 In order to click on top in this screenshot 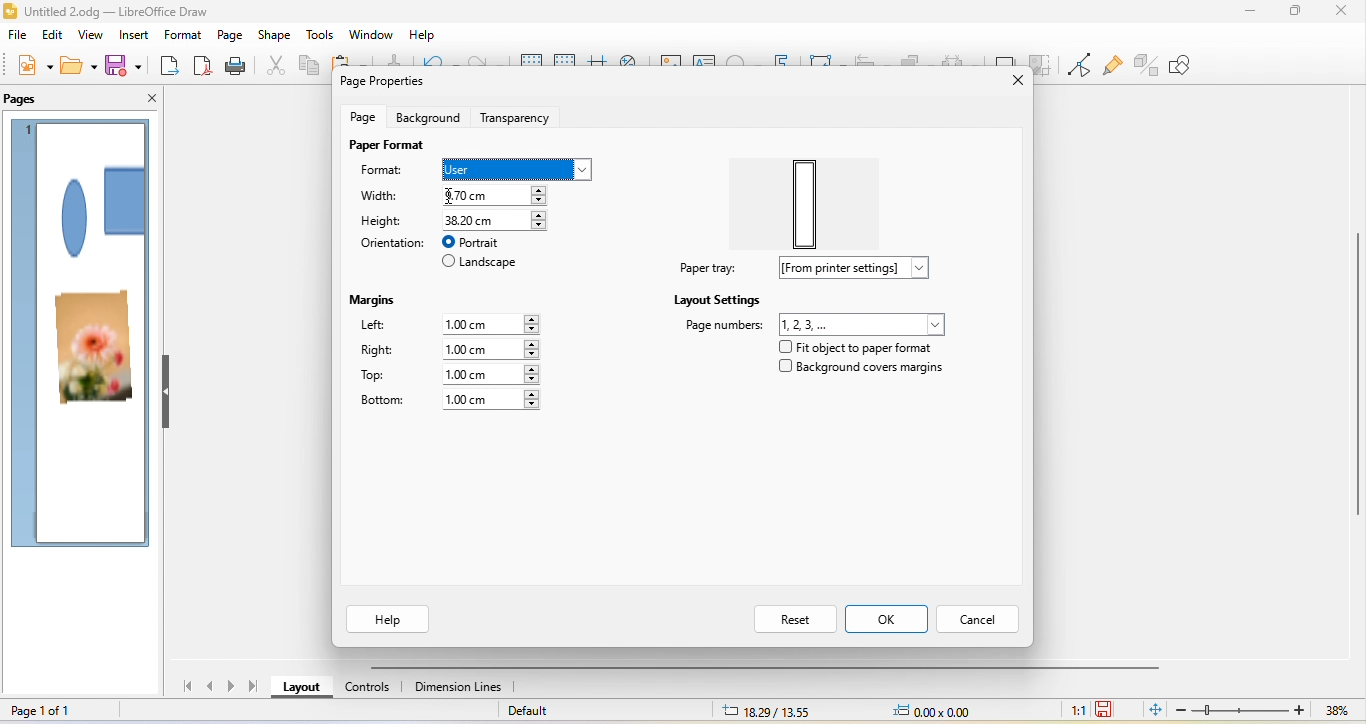, I will do `click(387, 377)`.